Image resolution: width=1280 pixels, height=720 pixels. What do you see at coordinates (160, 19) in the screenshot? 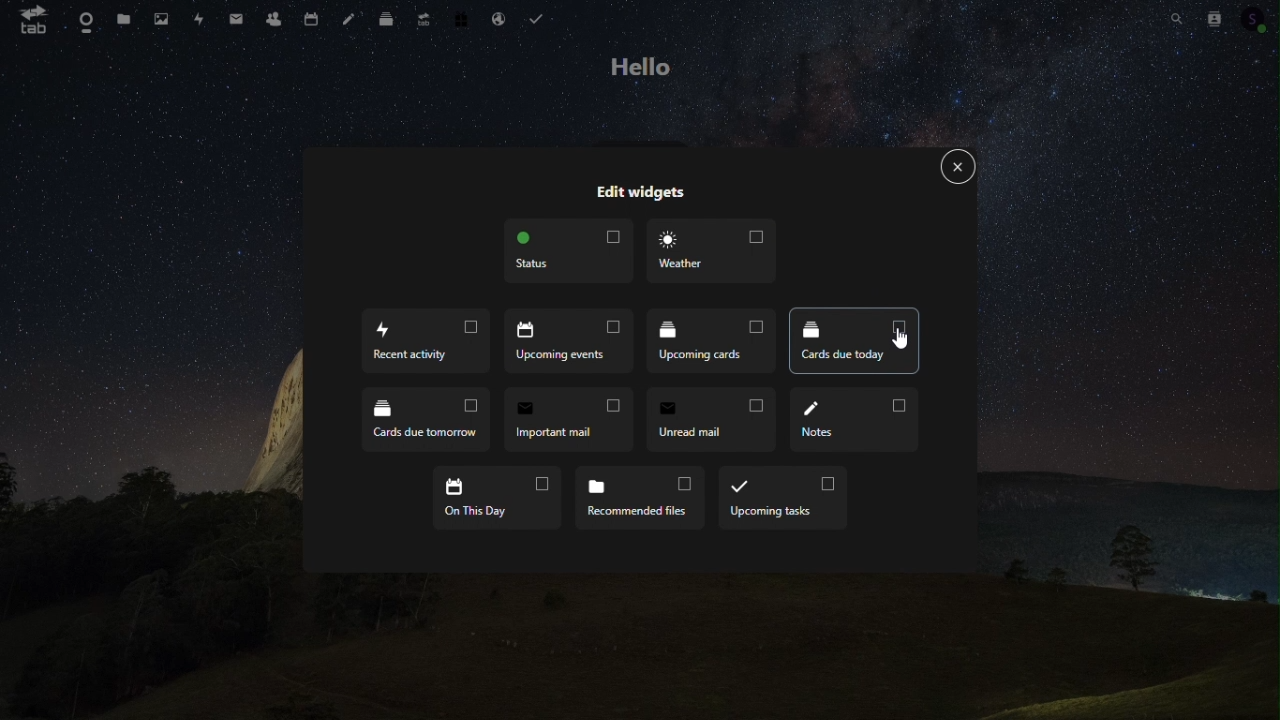
I see `Photos` at bounding box center [160, 19].